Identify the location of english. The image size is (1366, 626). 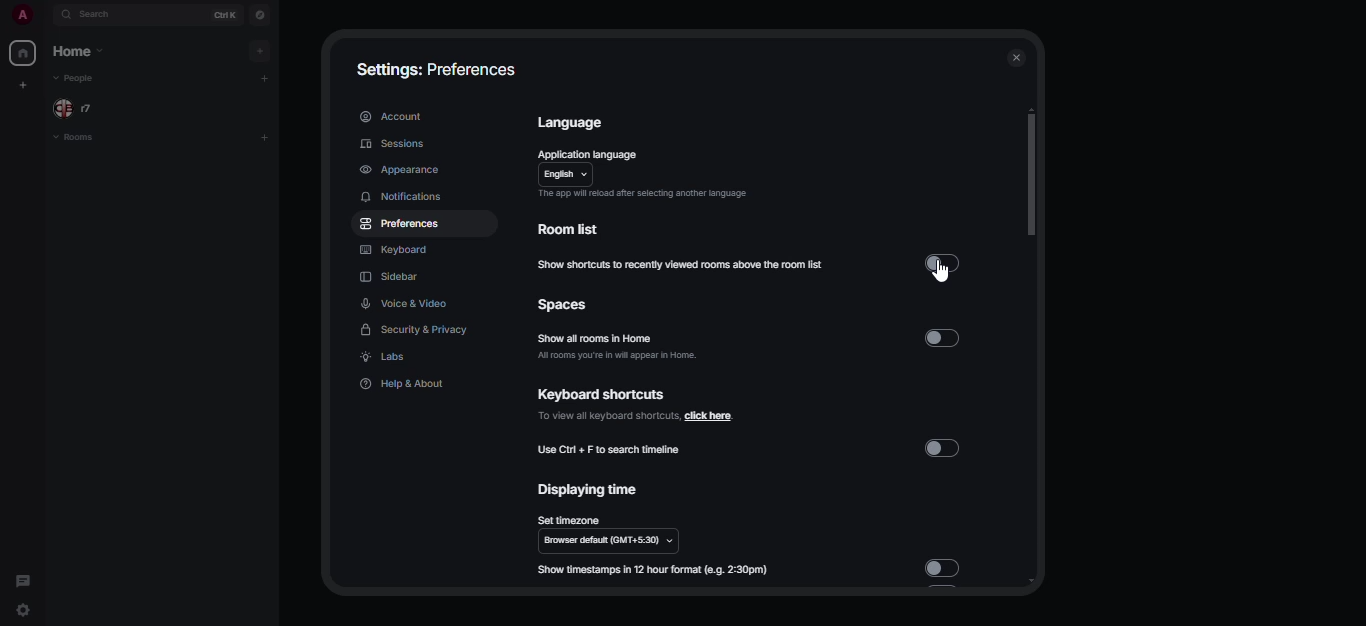
(568, 175).